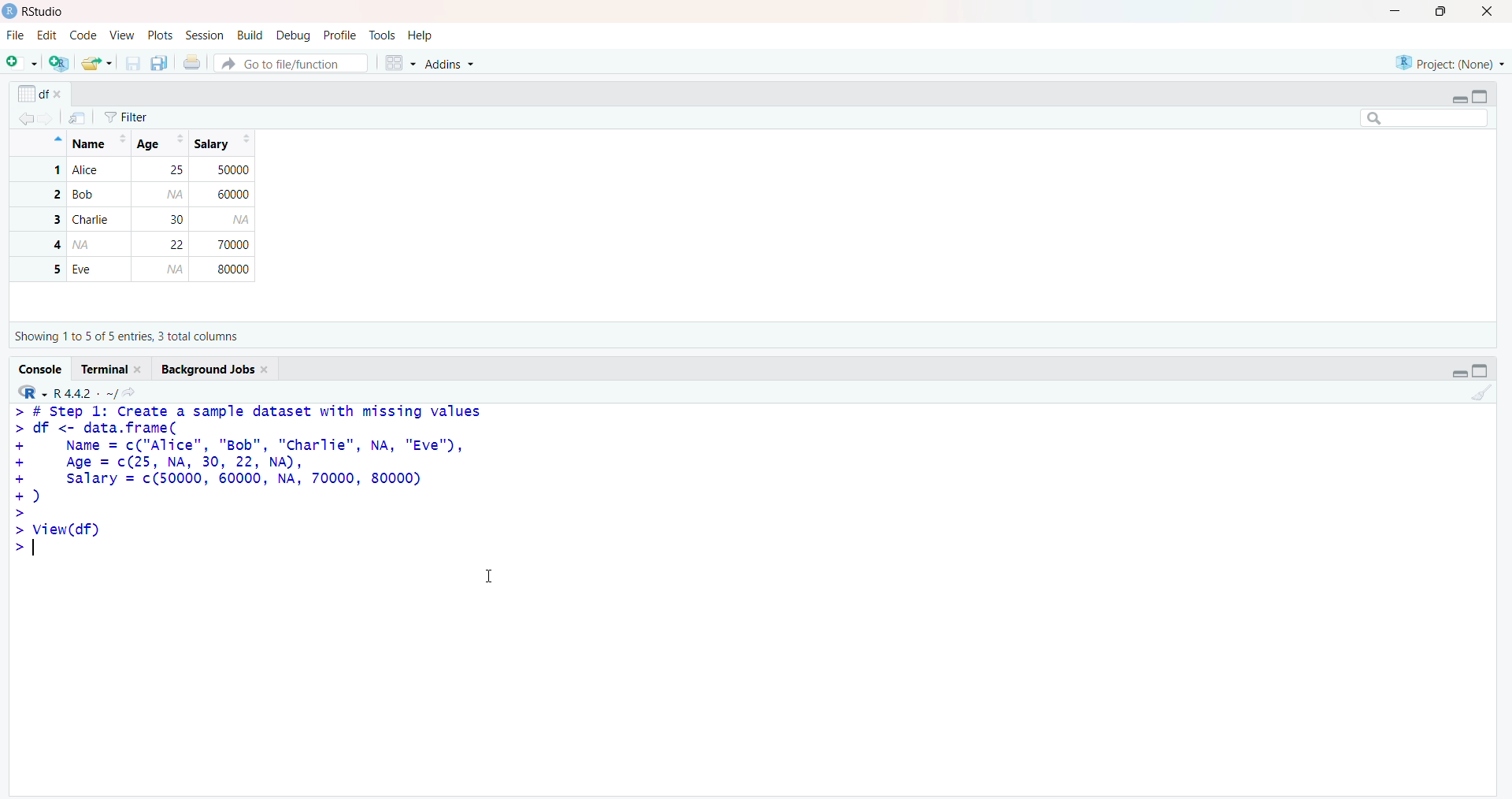 Image resolution: width=1512 pixels, height=799 pixels. Describe the element at coordinates (341, 34) in the screenshot. I see `Profile` at that location.